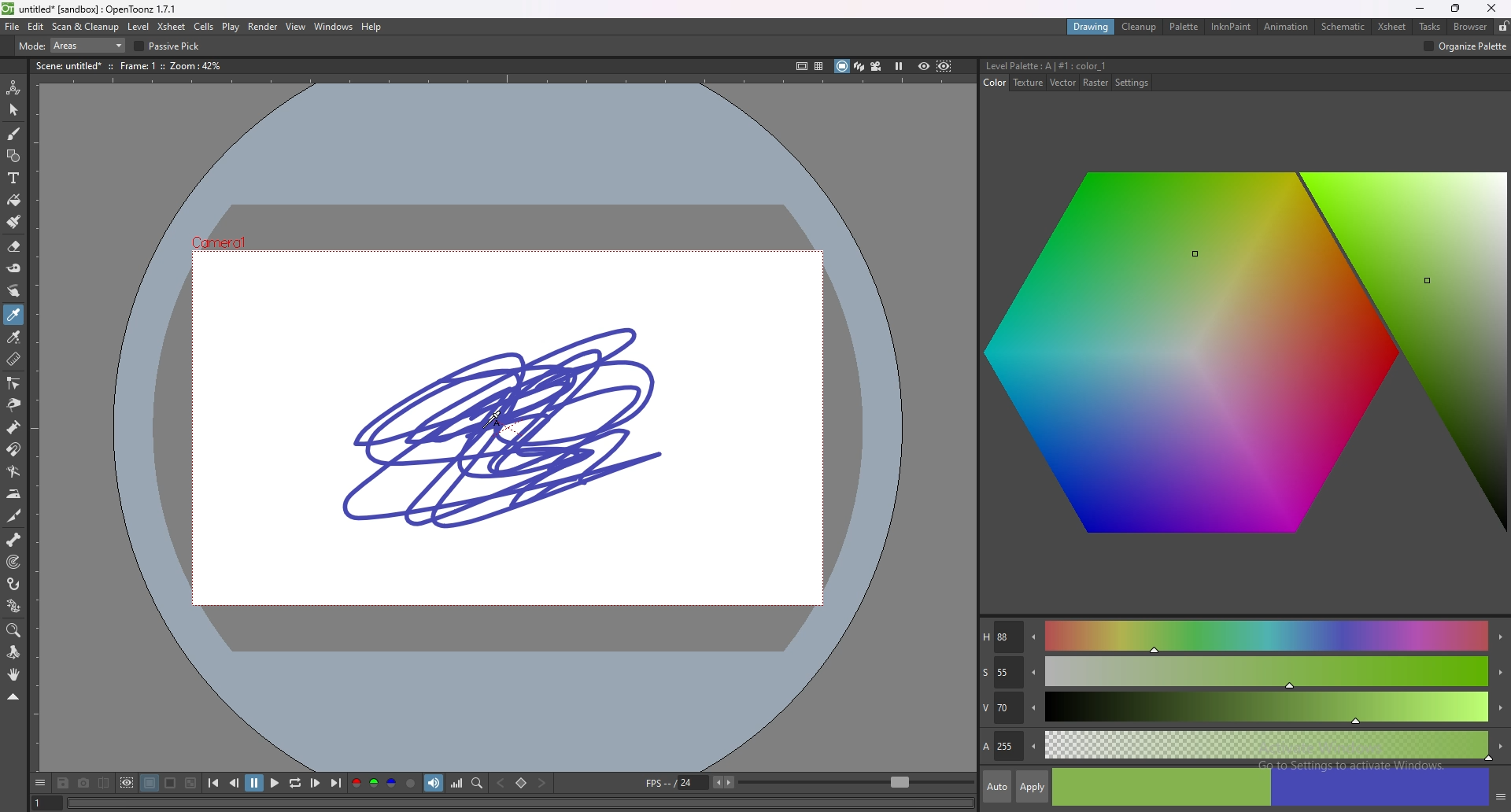 The height and width of the screenshot is (812, 1511). I want to click on pinch tool, so click(14, 404).